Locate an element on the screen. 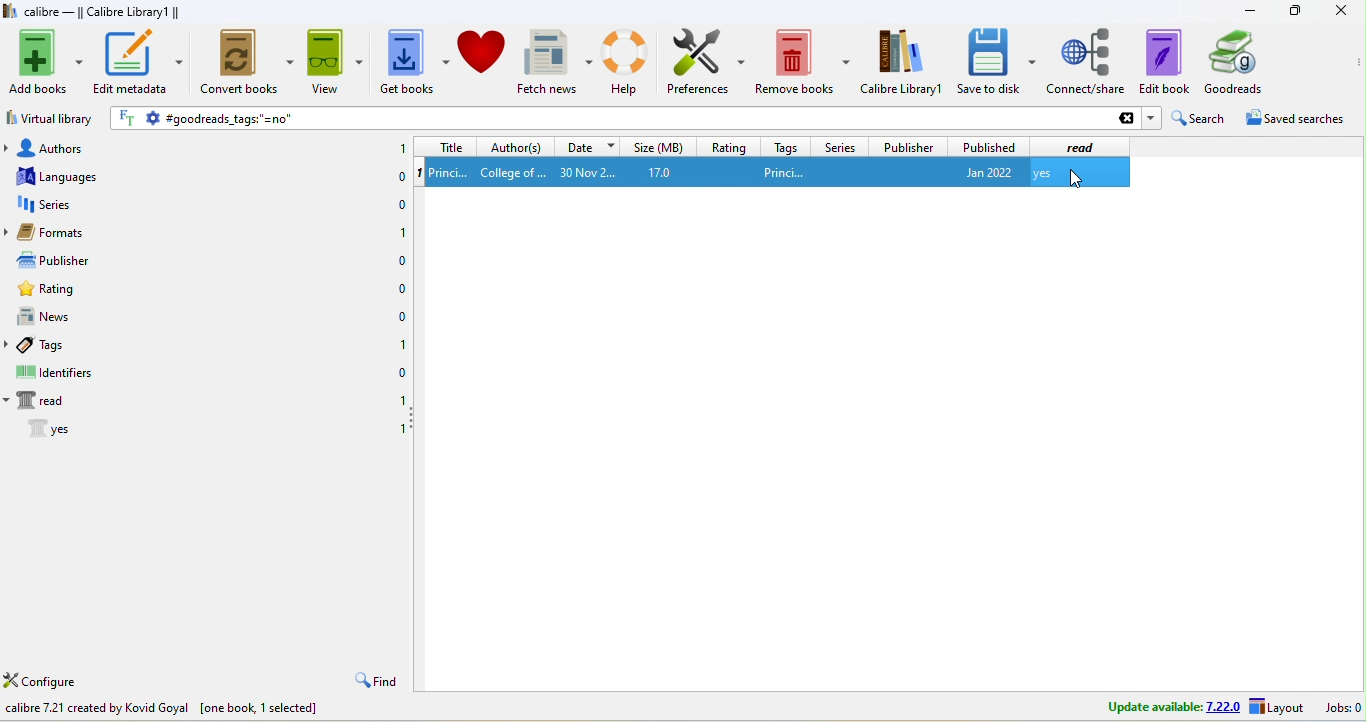 This screenshot has width=1366, height=722. series is located at coordinates (56, 207).